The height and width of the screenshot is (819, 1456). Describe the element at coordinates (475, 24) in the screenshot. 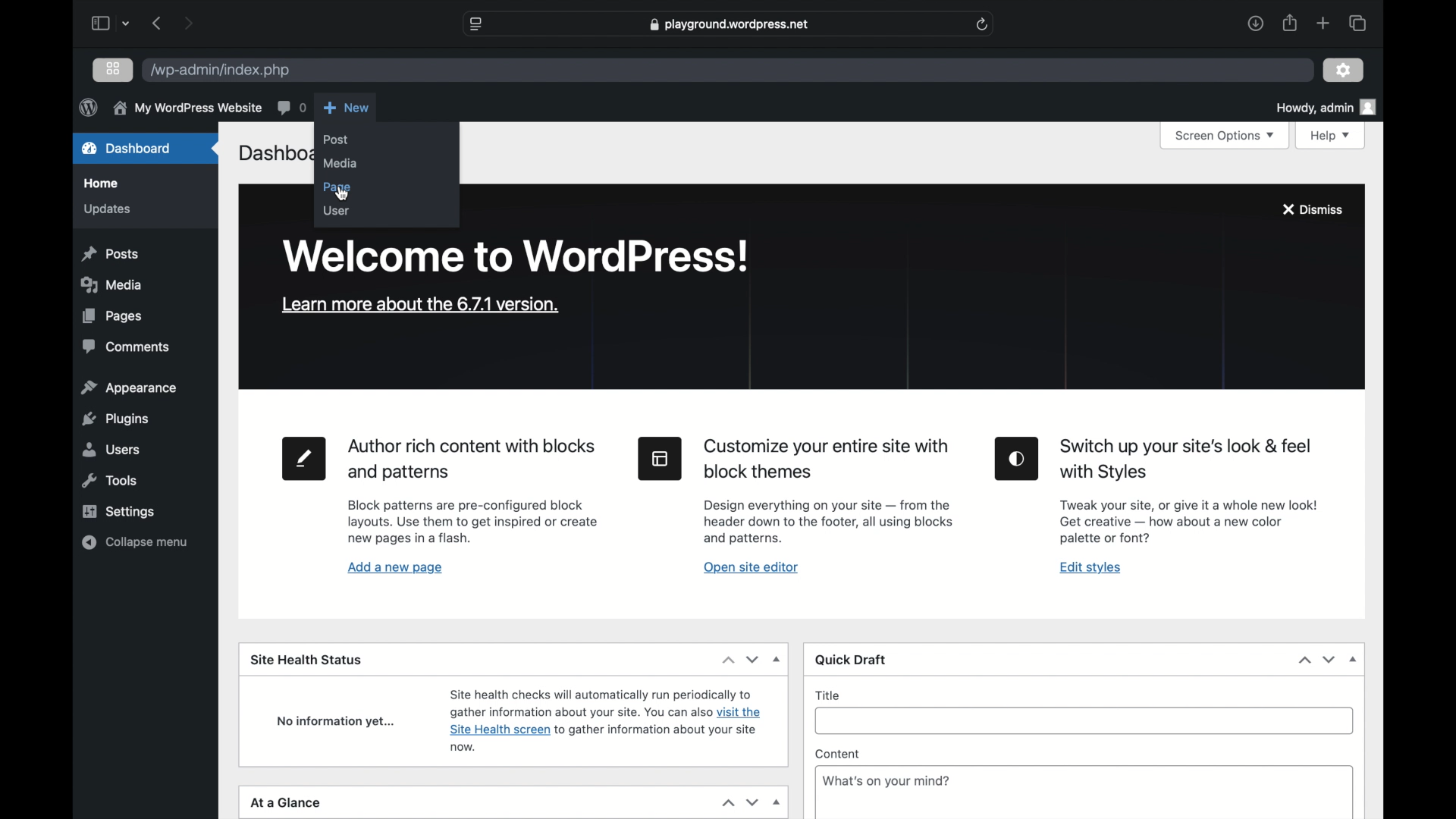

I see `website settings` at that location.